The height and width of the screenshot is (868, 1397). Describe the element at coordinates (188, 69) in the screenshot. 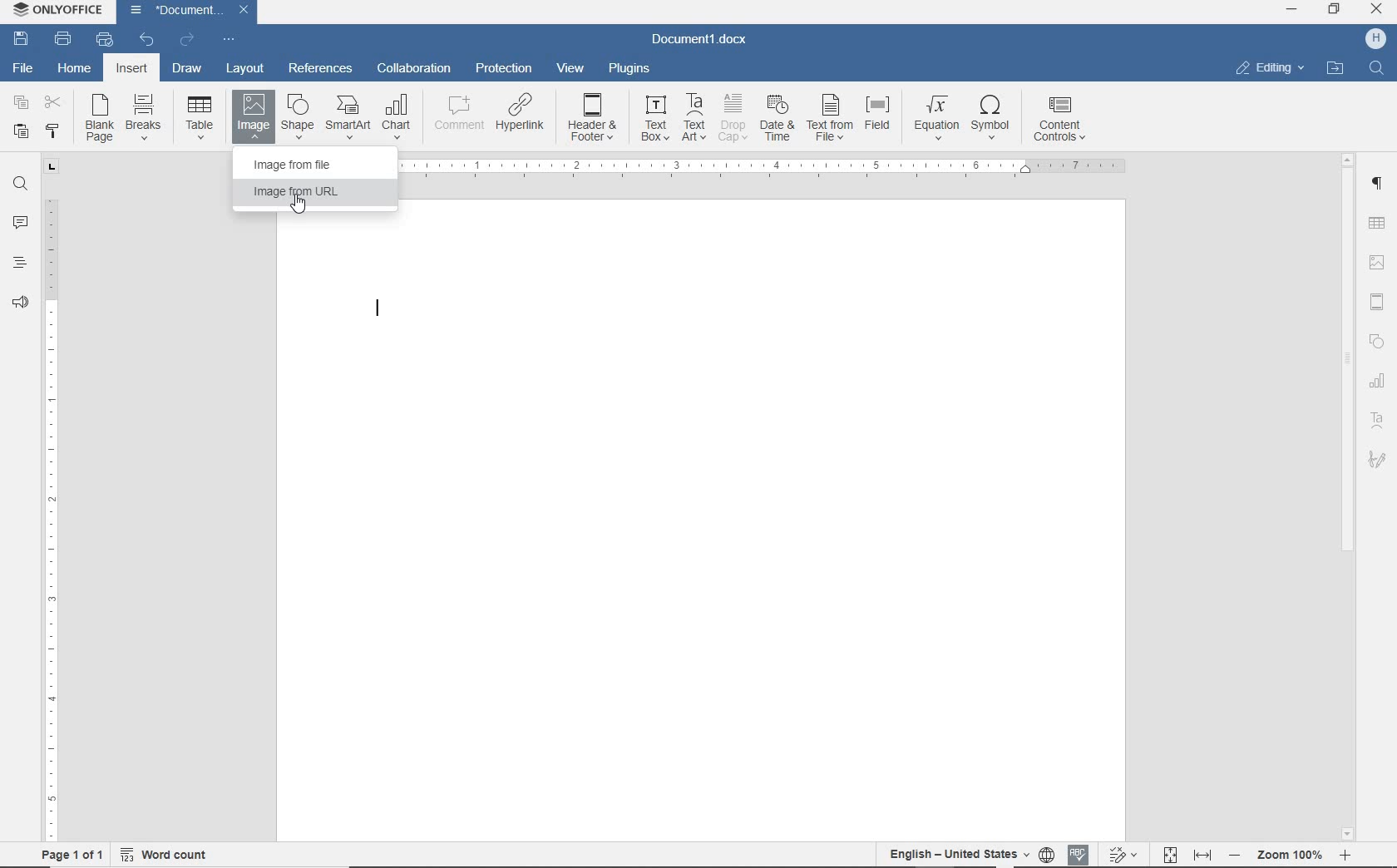

I see `draw` at that location.